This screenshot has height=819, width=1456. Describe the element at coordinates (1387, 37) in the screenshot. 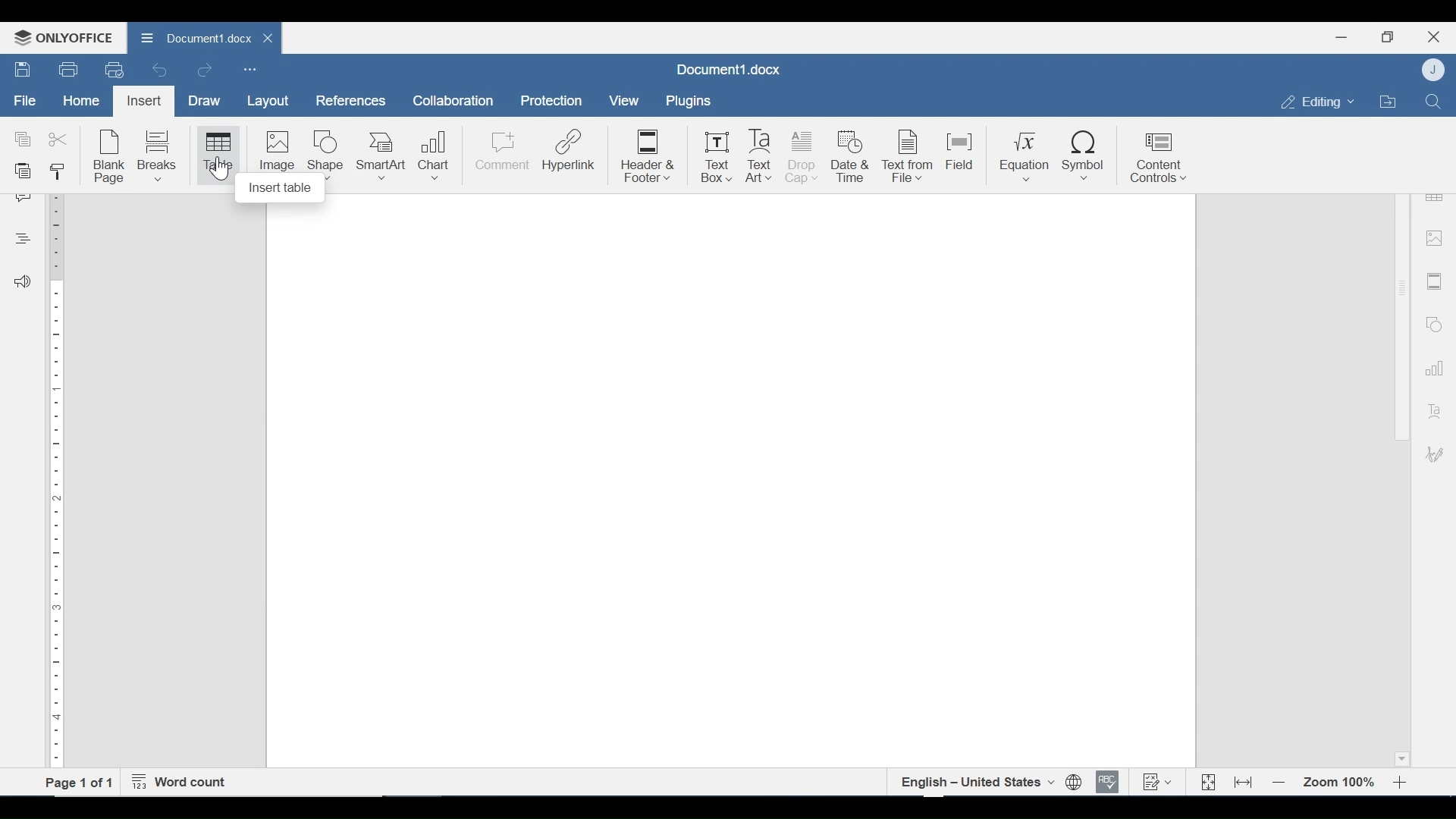

I see `Restore` at that location.